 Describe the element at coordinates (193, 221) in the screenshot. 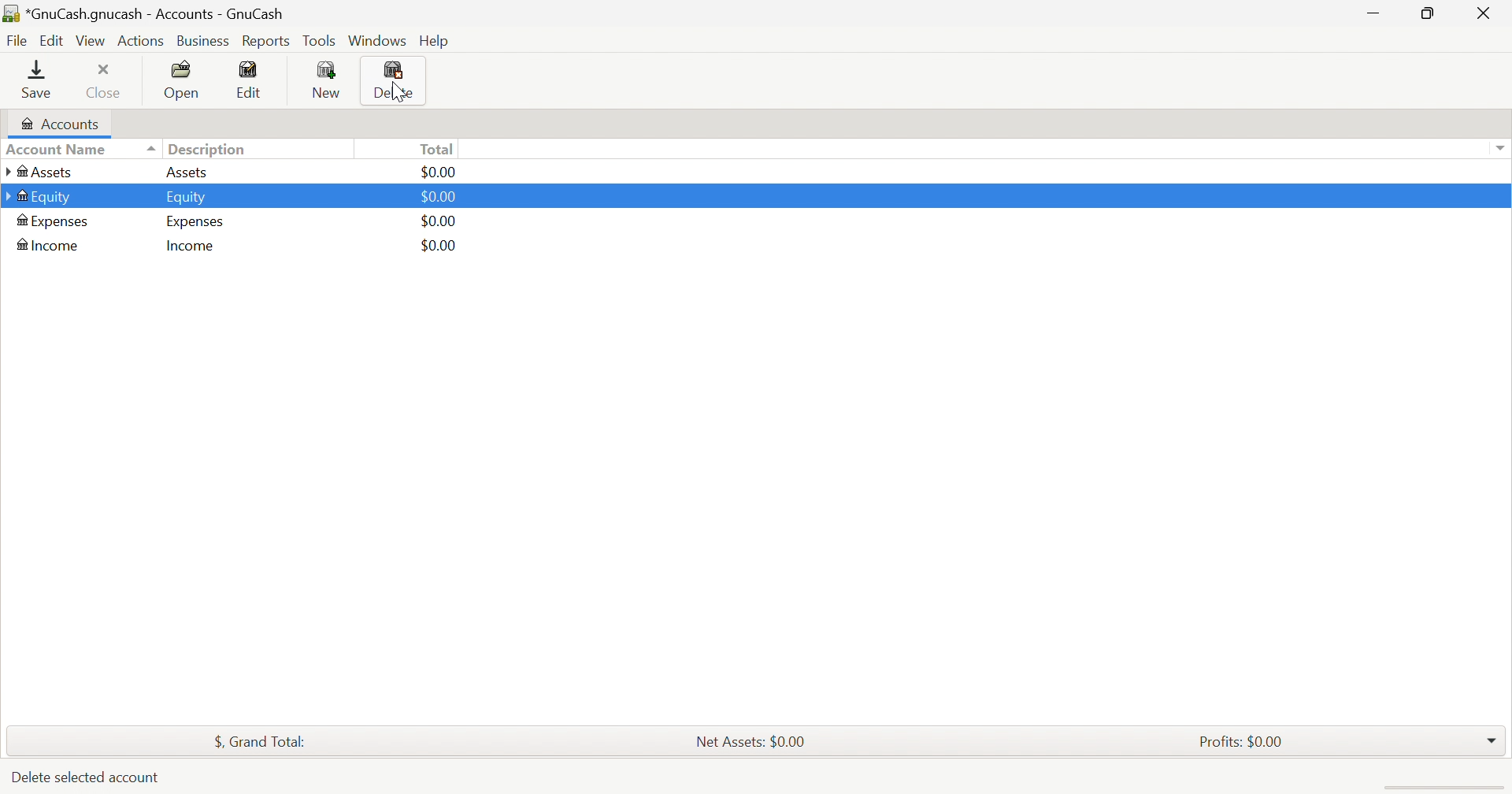

I see `Expenses` at that location.